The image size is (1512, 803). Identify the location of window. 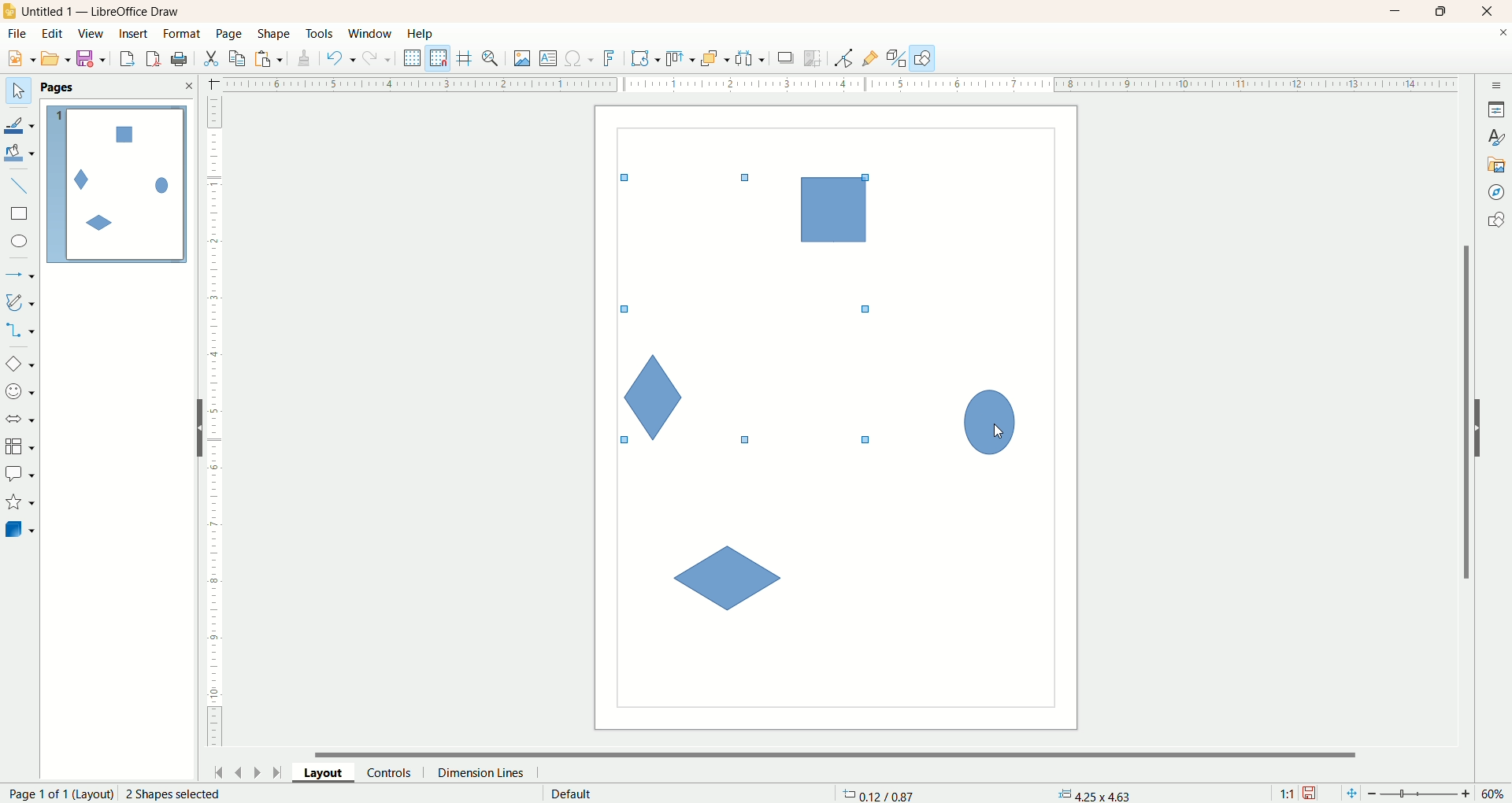
(374, 35).